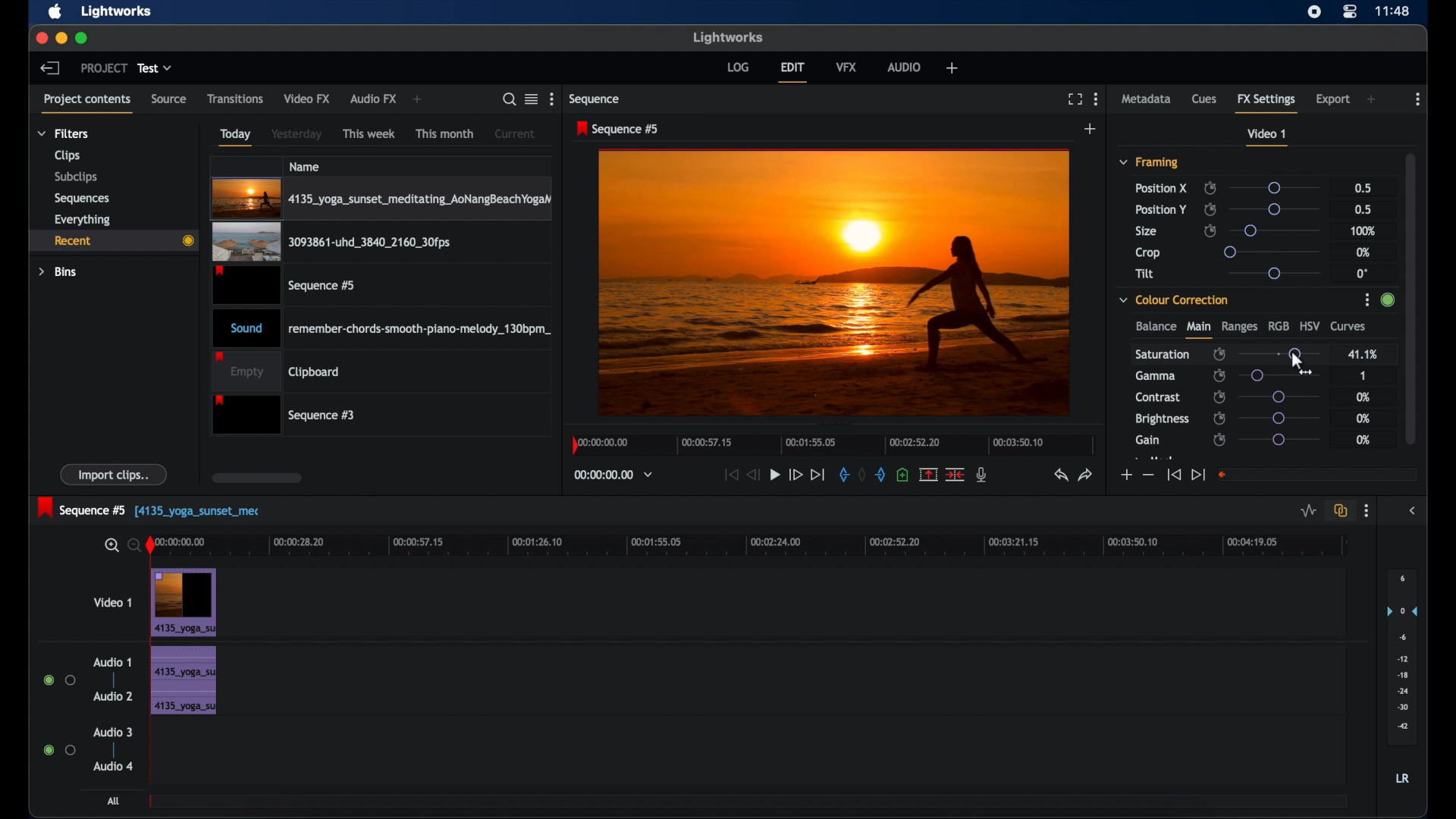 This screenshot has height=819, width=1456. What do you see at coordinates (235, 98) in the screenshot?
I see `transitions` at bounding box center [235, 98].